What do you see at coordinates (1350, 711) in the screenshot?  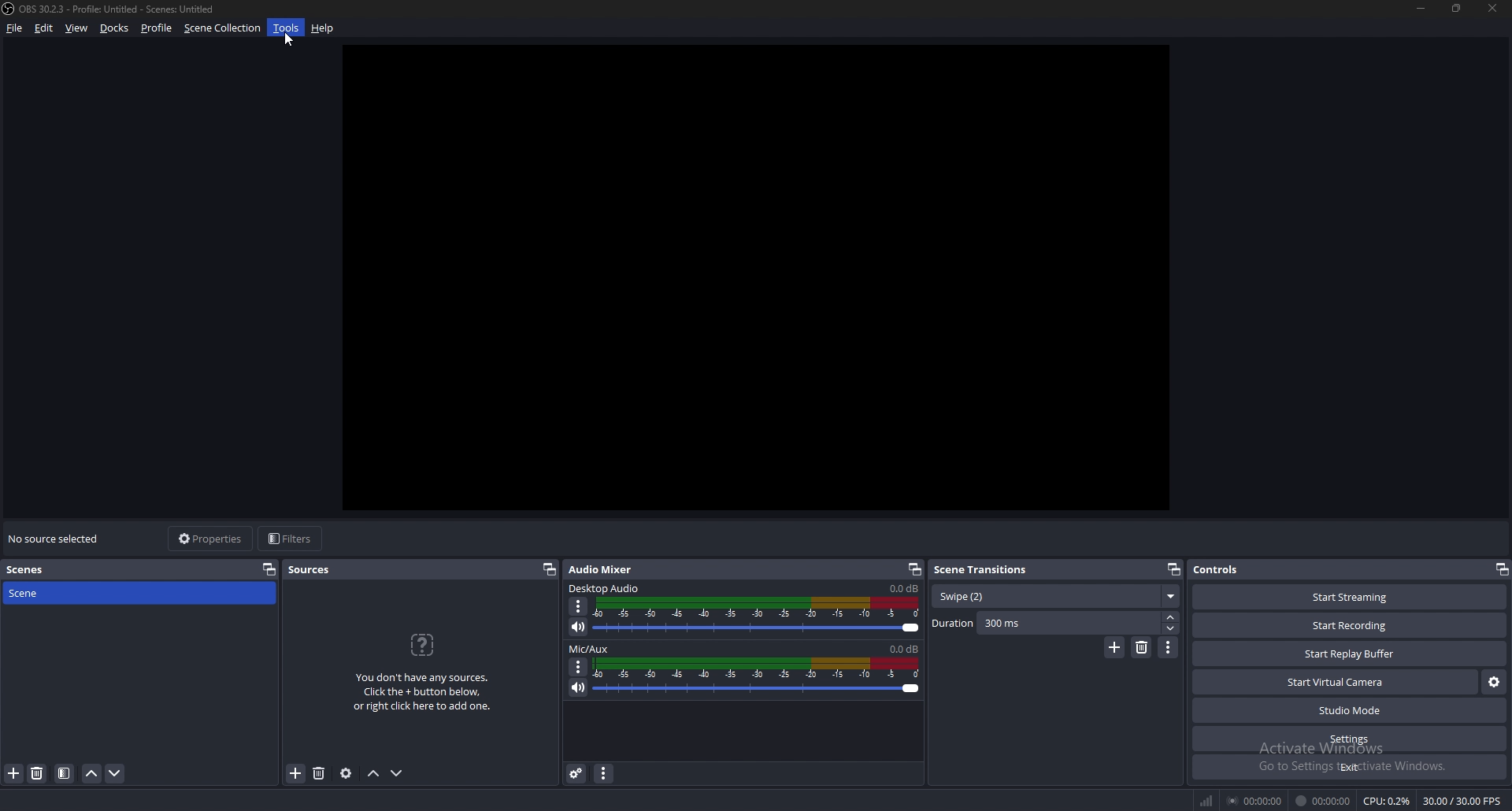 I see `studio mode` at bounding box center [1350, 711].